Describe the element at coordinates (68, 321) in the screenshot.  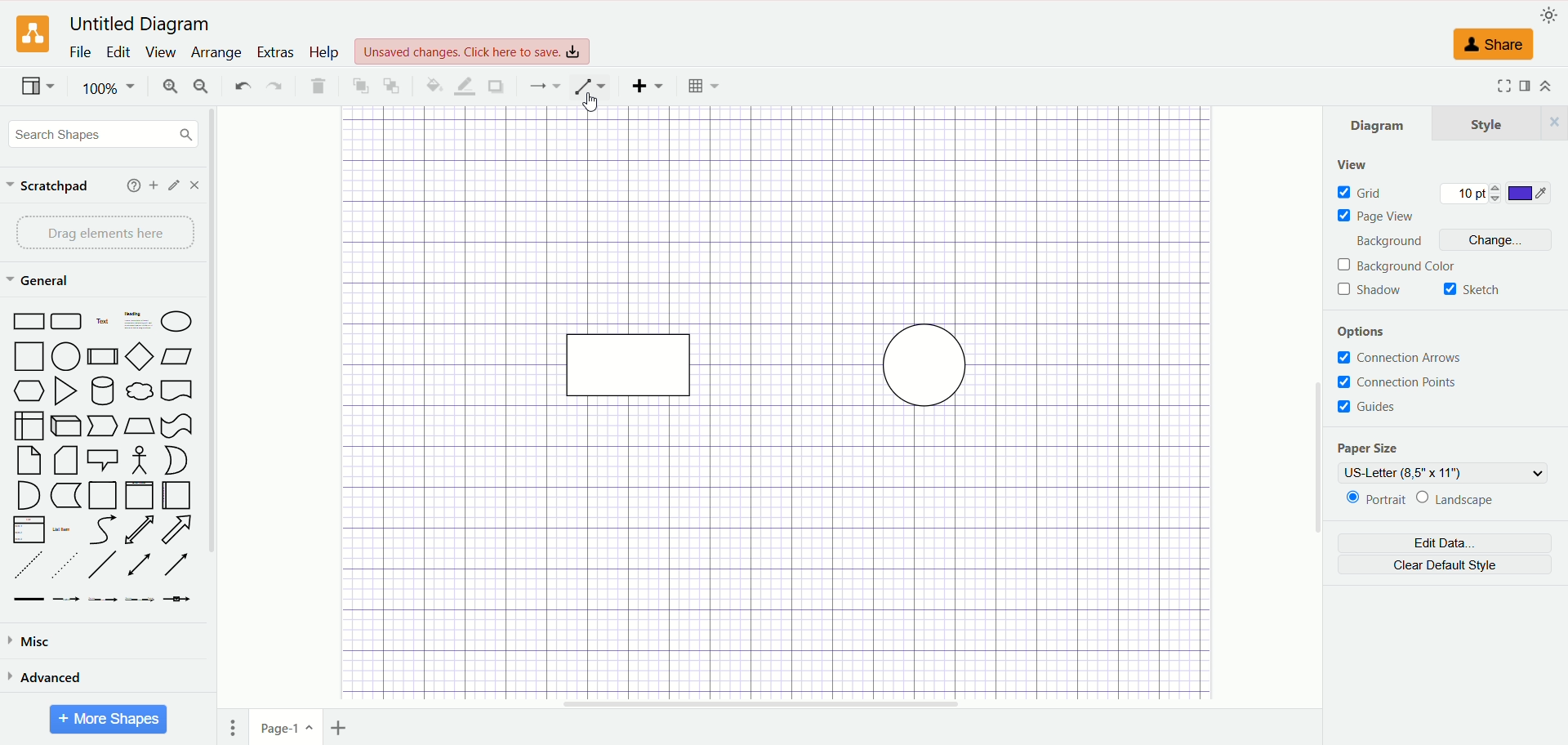
I see `Curved Edge Rectangle` at that location.